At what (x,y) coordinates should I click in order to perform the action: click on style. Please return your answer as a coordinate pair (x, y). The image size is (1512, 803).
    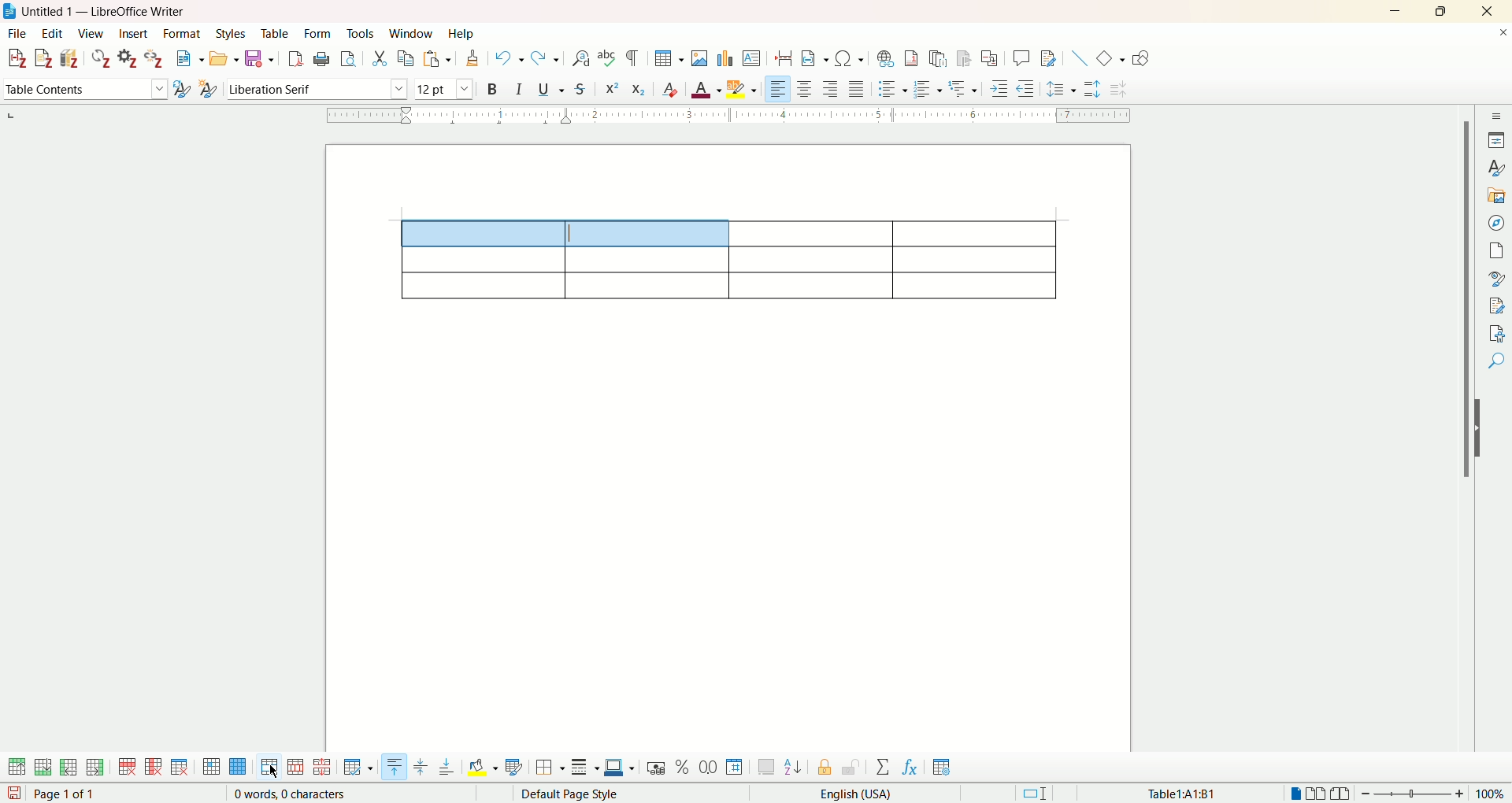
    Looking at the image, I should click on (1499, 165).